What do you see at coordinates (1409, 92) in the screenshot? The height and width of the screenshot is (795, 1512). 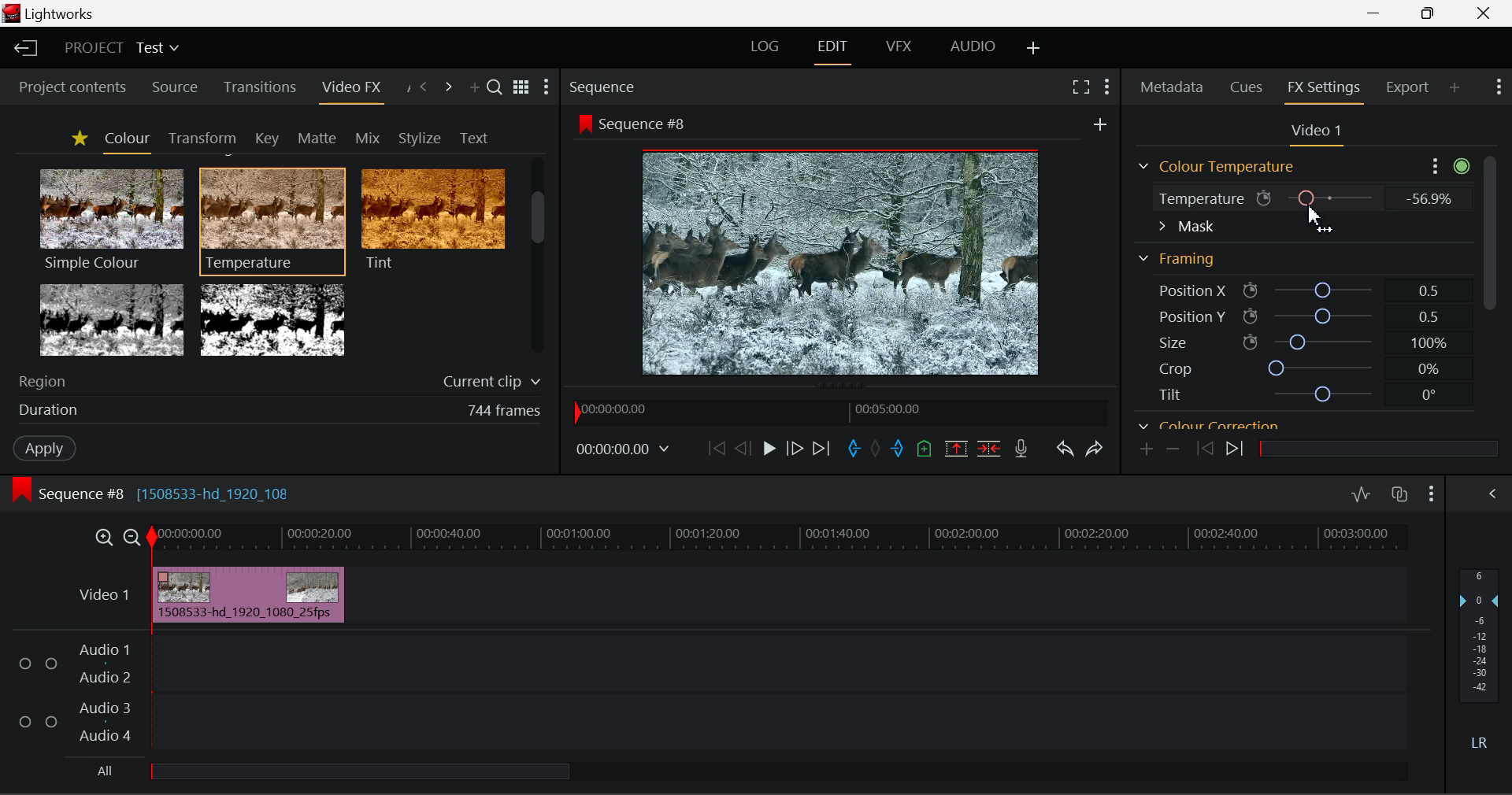 I see `Export` at bounding box center [1409, 92].